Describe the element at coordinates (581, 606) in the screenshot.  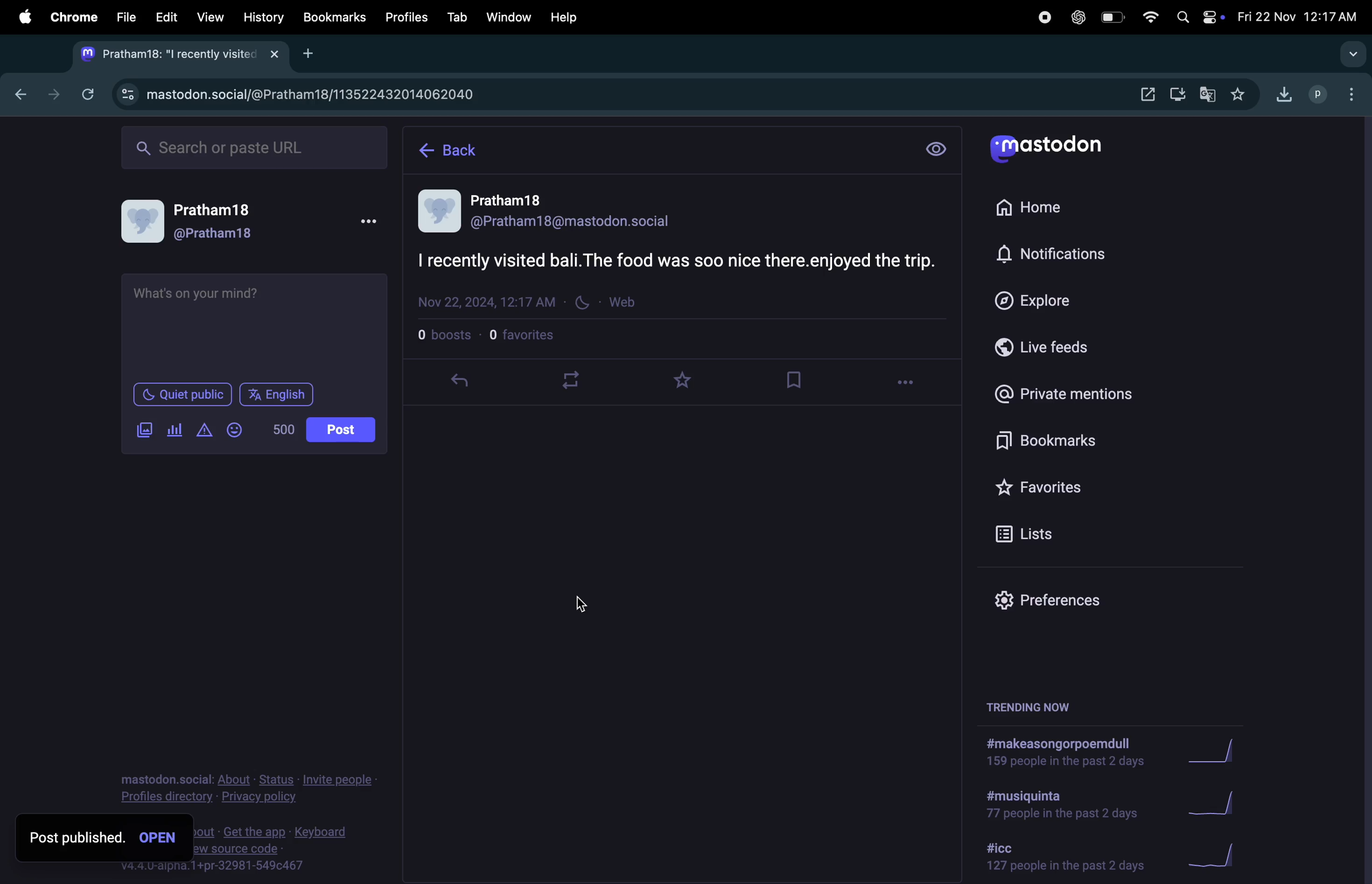
I see `cursor` at that location.